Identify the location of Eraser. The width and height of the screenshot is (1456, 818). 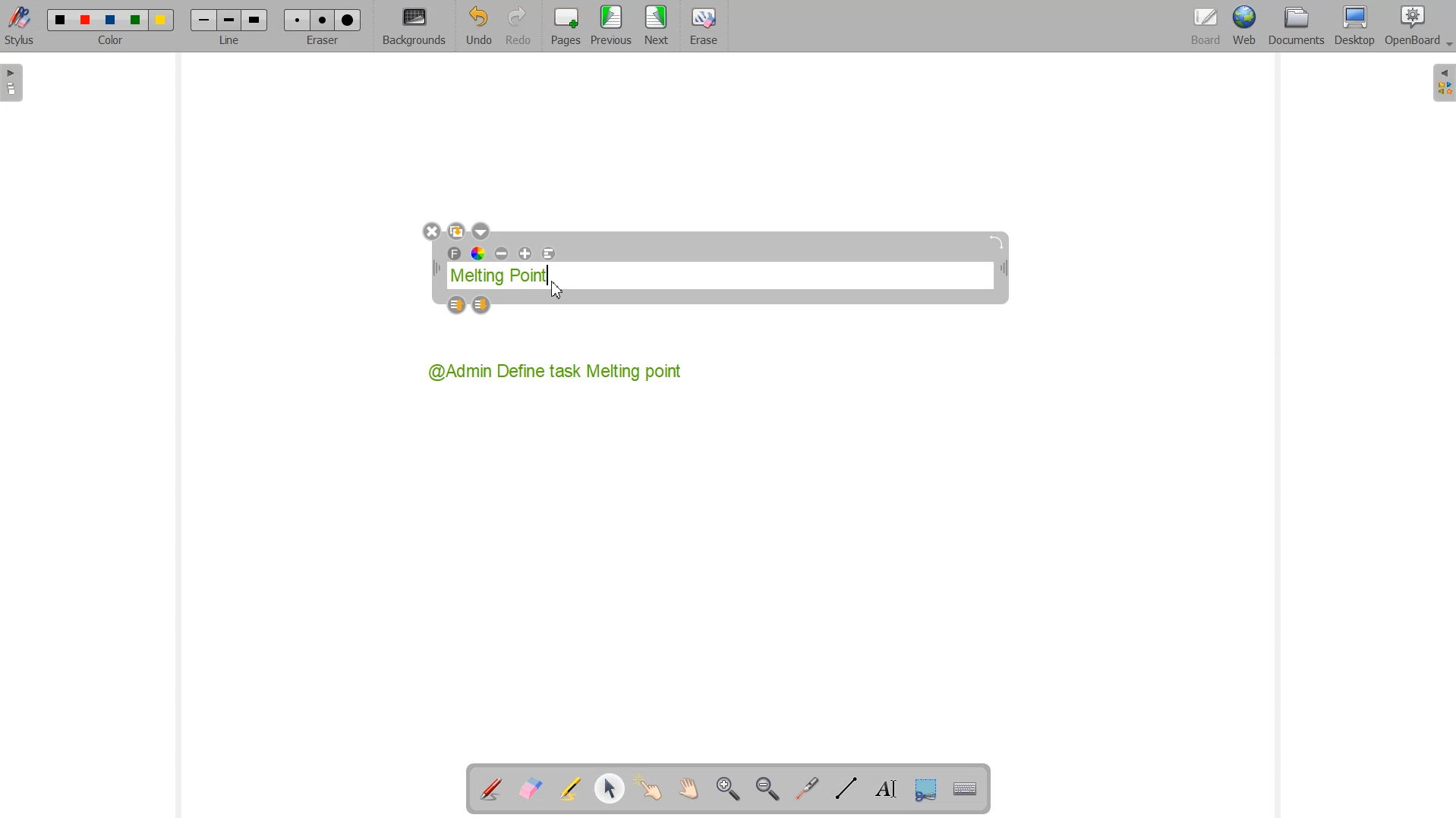
(320, 26).